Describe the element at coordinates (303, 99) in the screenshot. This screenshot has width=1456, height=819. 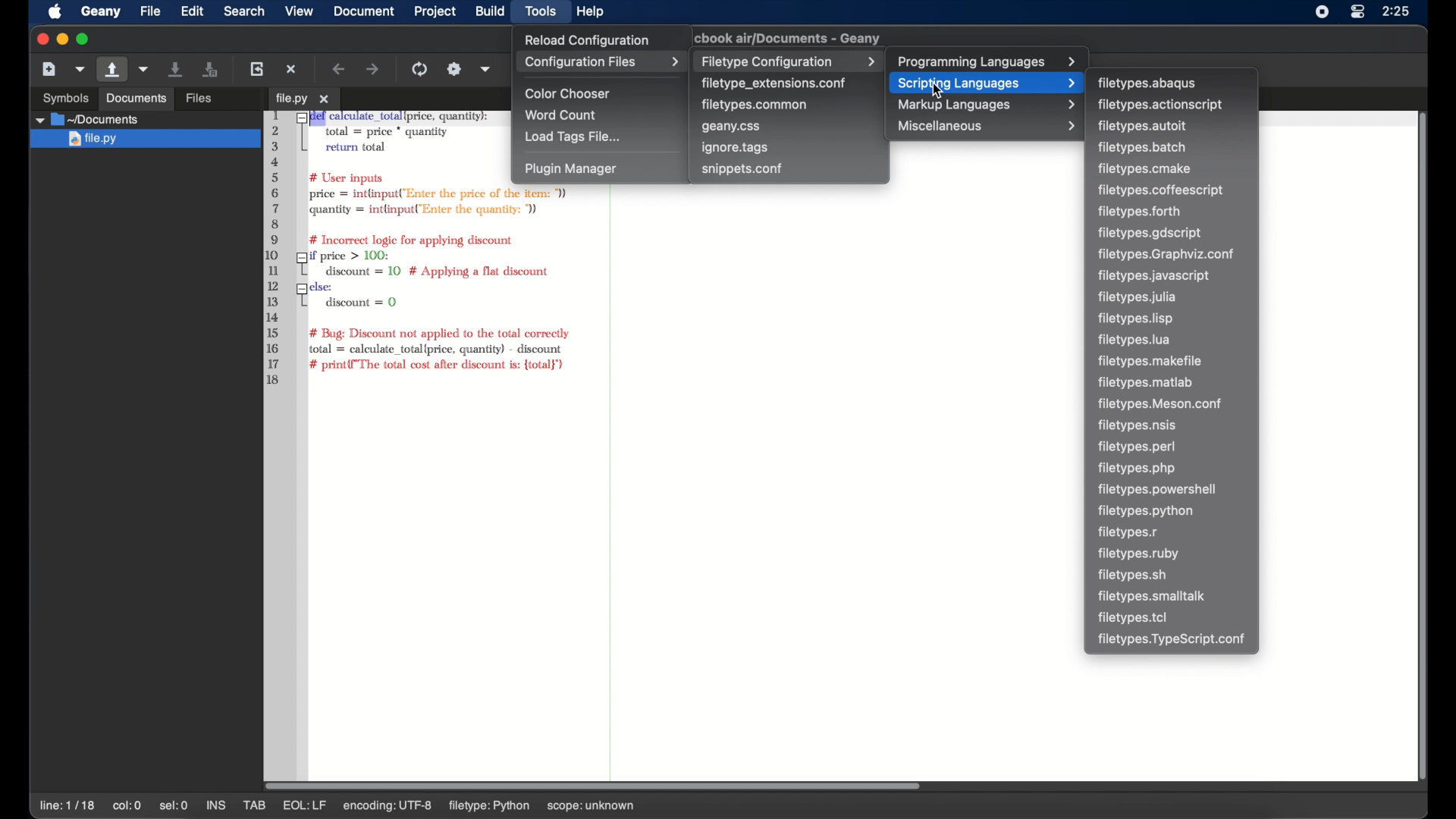
I see `tab` at that location.